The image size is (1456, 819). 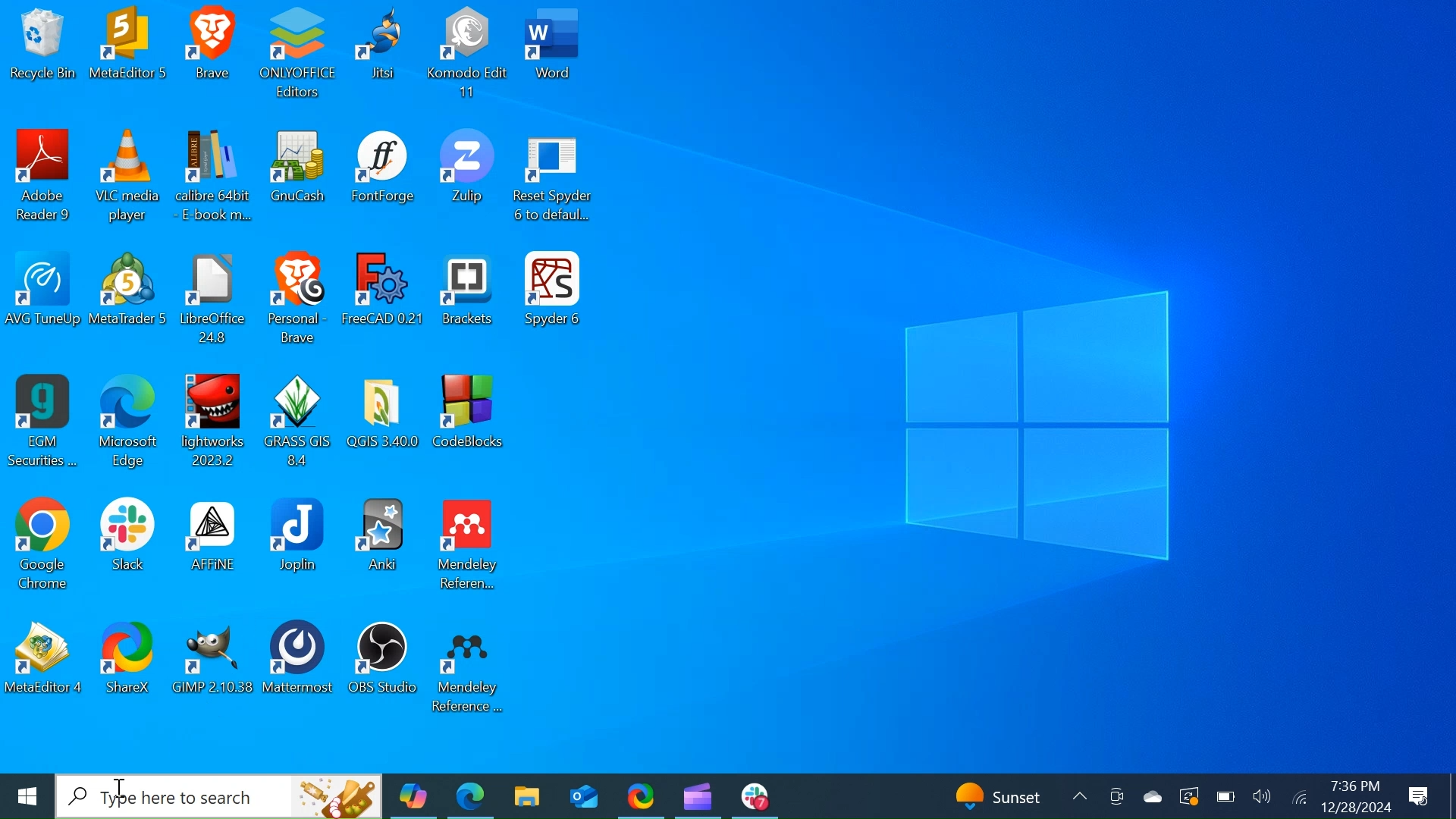 I want to click on Notification, so click(x=1421, y=798).